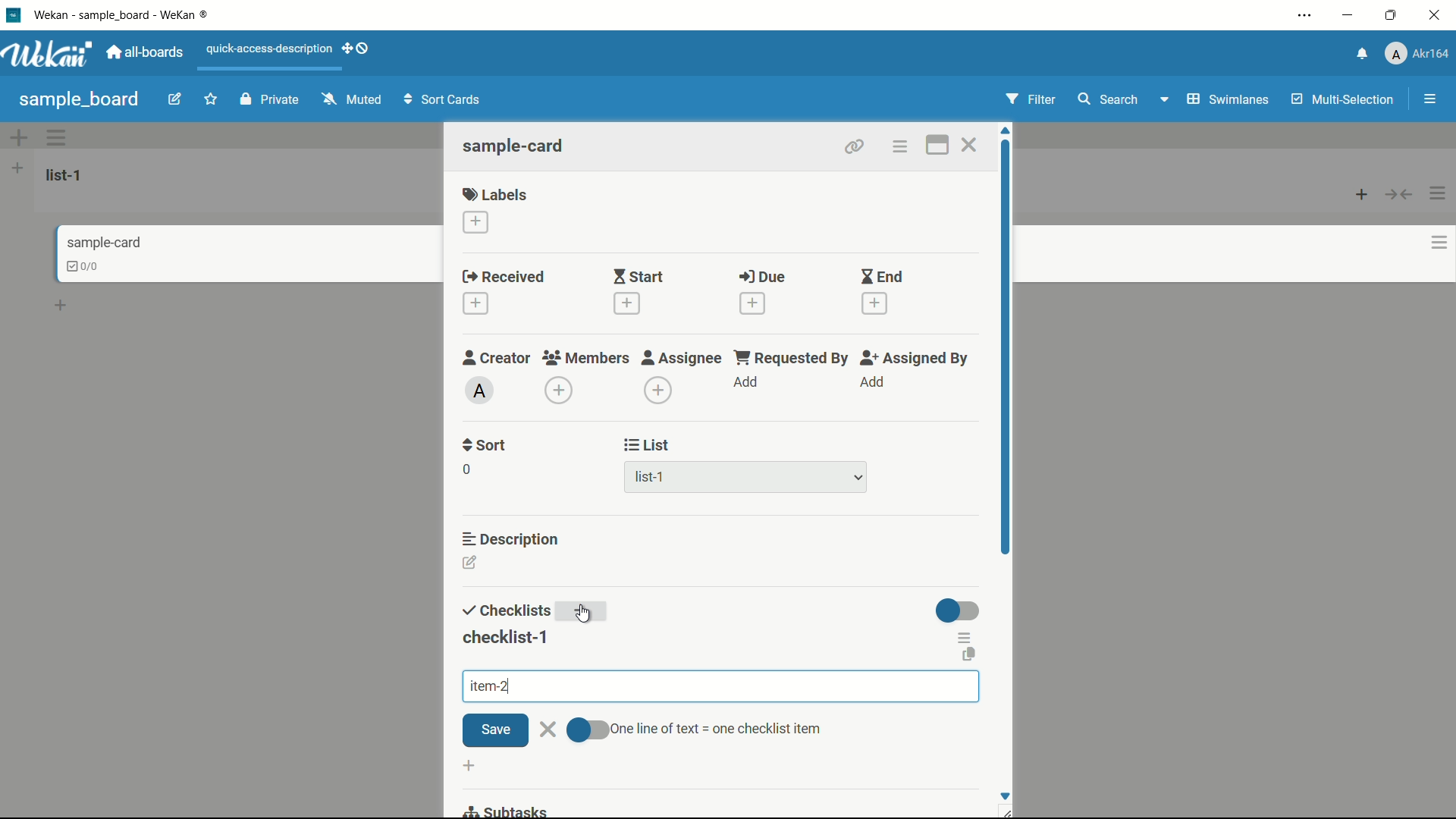  What do you see at coordinates (1031, 100) in the screenshot?
I see `filter` at bounding box center [1031, 100].